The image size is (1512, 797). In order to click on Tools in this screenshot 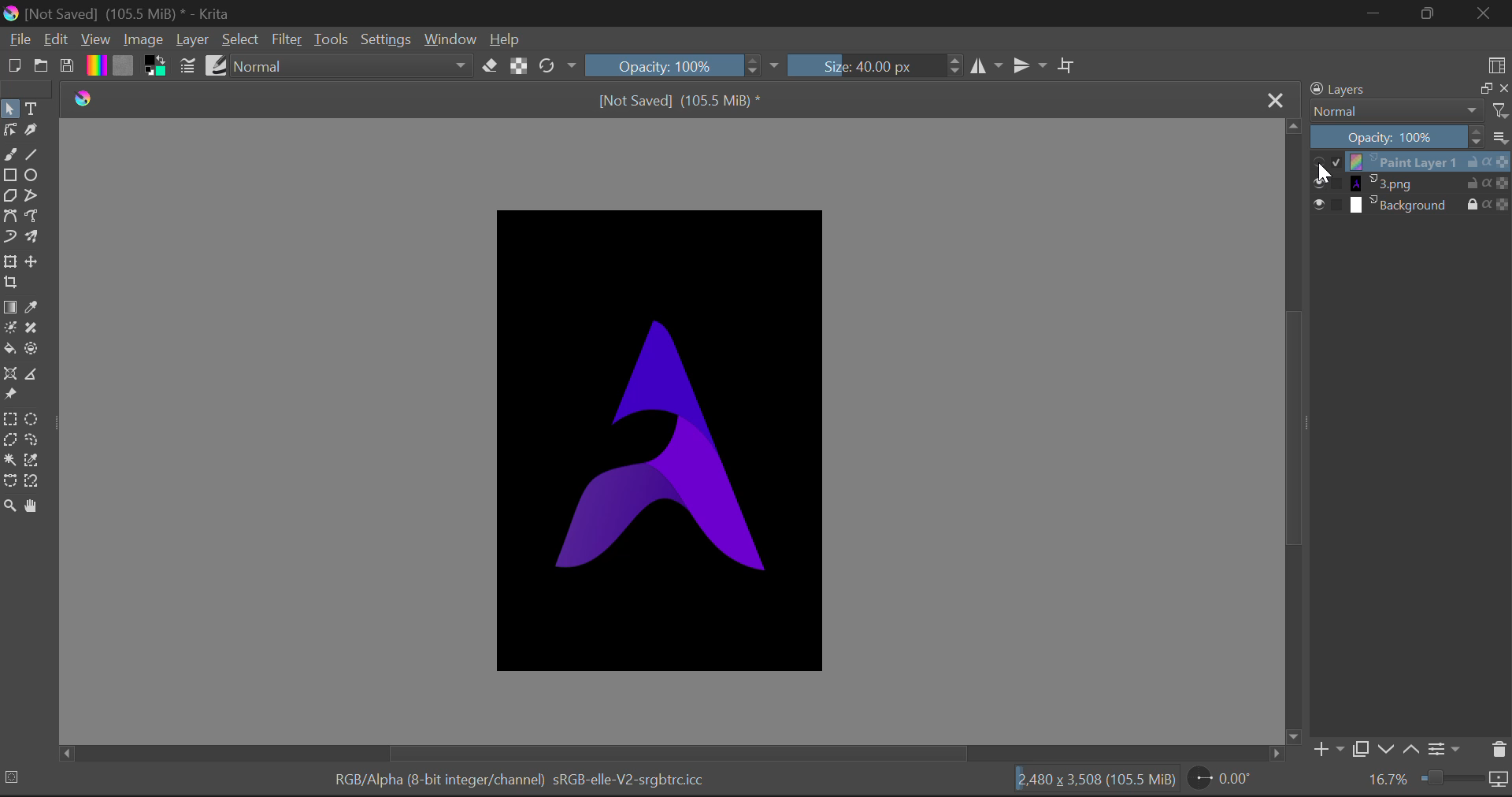, I will do `click(335, 39)`.